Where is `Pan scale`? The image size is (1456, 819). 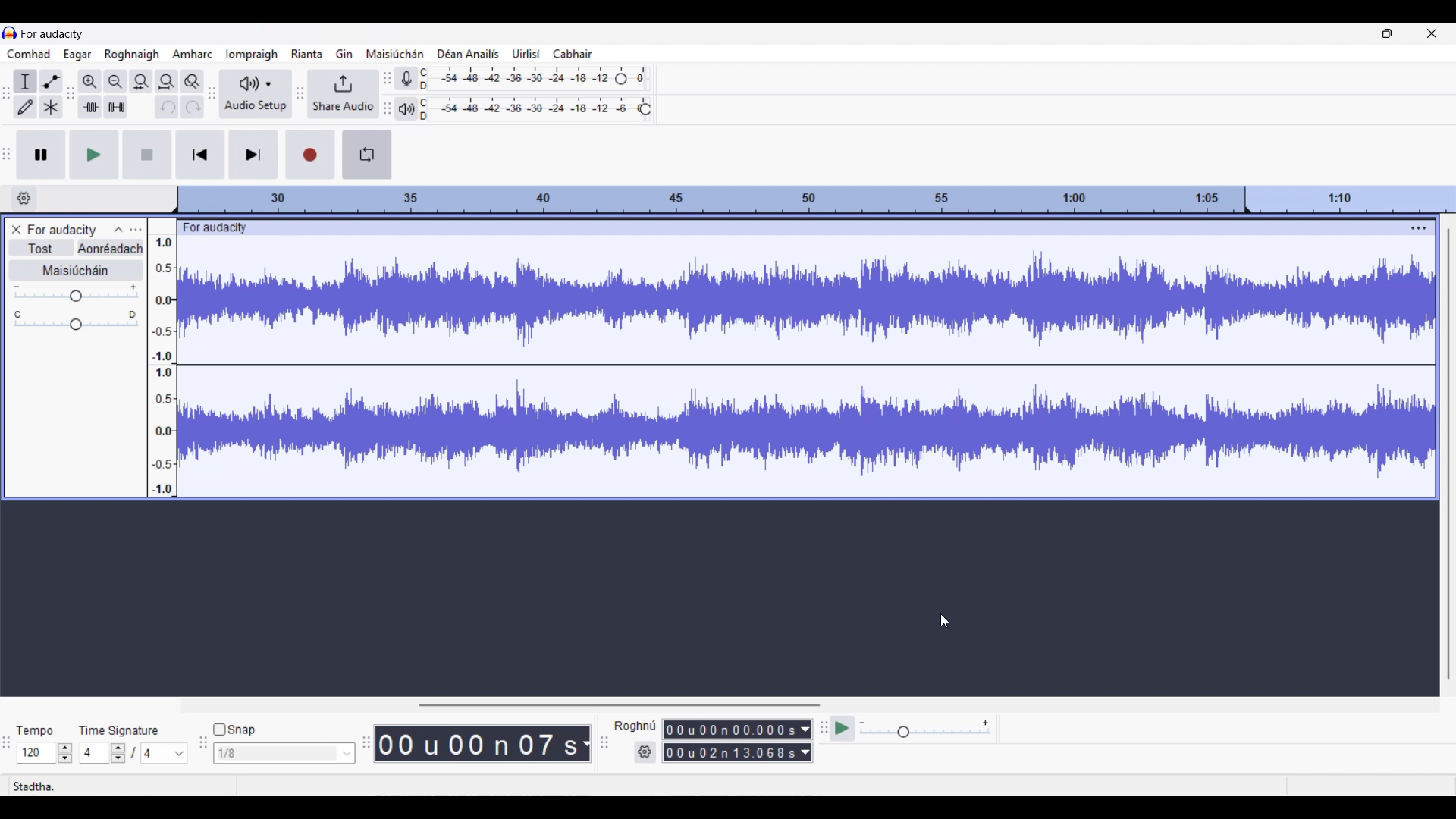 Pan scale is located at coordinates (76, 320).